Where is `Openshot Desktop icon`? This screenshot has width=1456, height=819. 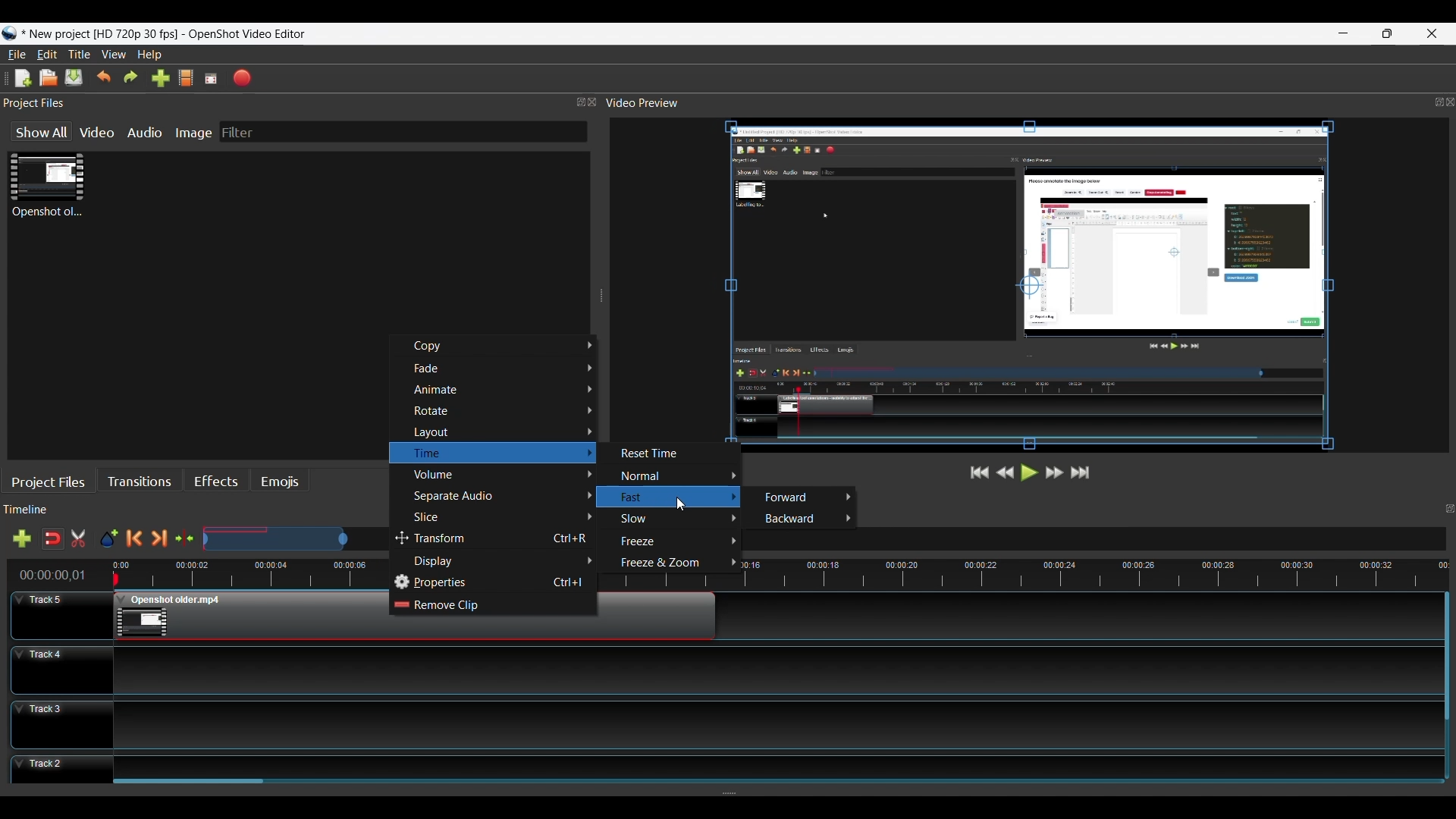 Openshot Desktop icon is located at coordinates (10, 35).